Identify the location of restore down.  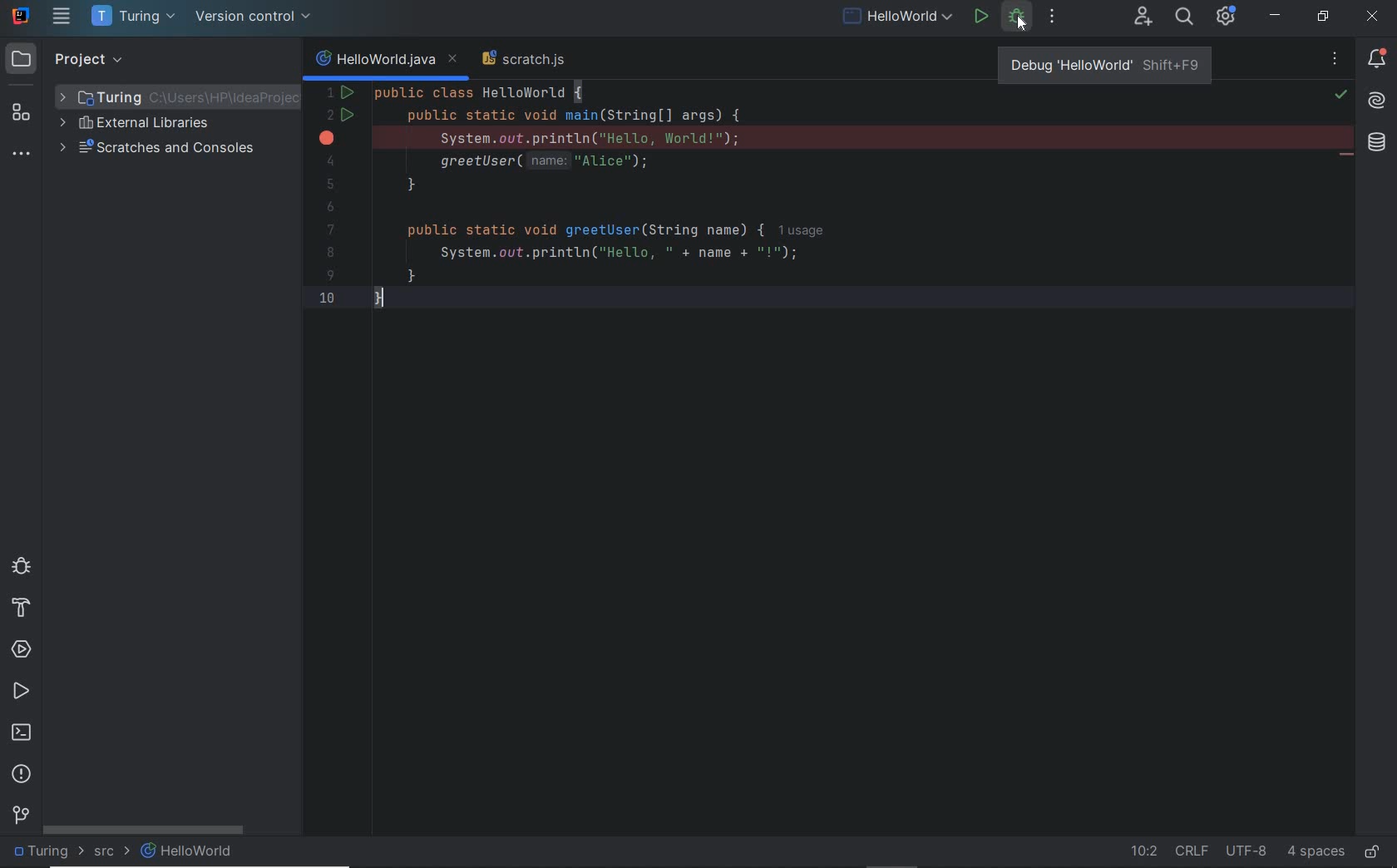
(1323, 18).